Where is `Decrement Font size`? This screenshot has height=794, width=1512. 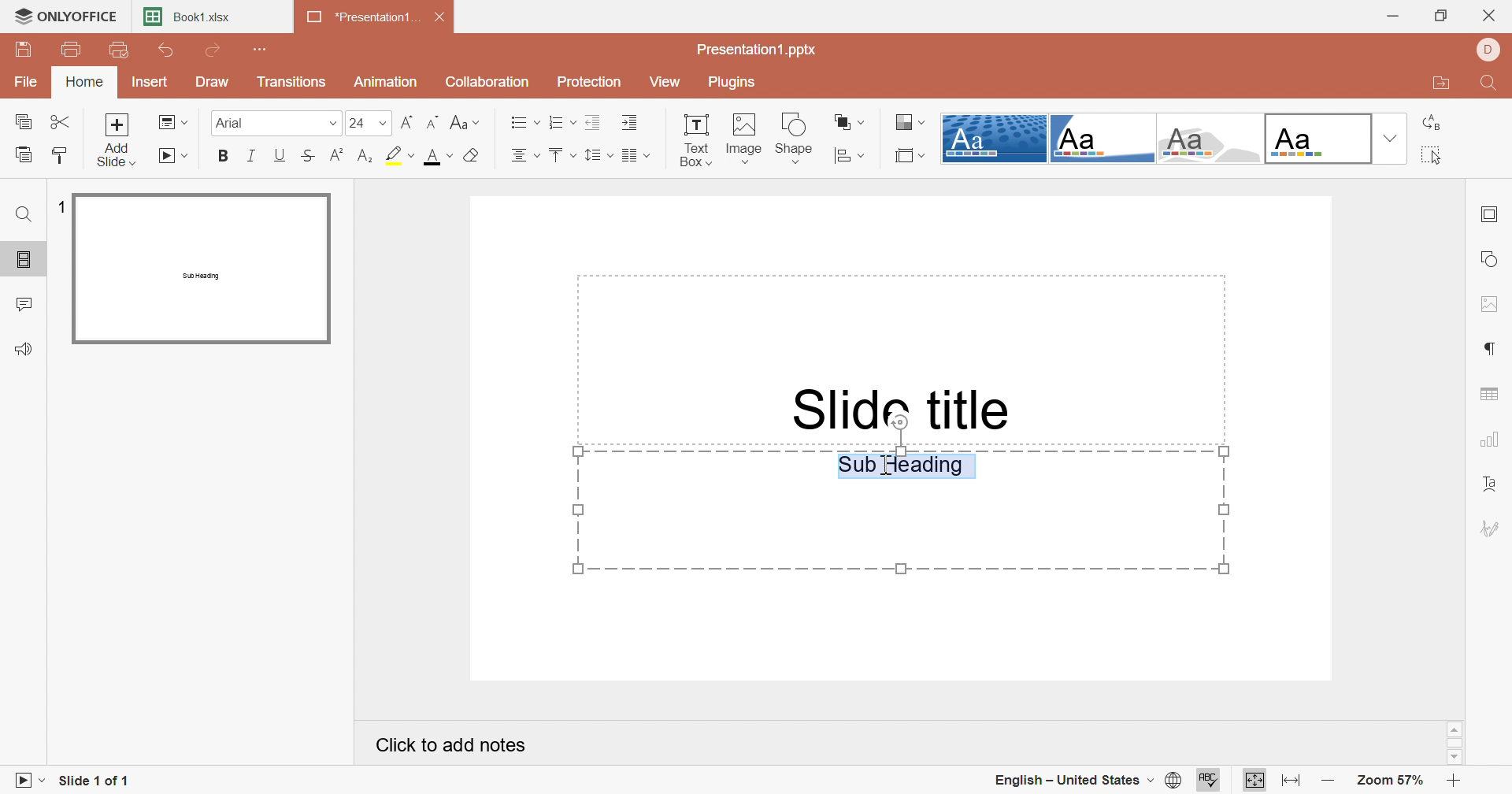 Decrement Font size is located at coordinates (406, 121).